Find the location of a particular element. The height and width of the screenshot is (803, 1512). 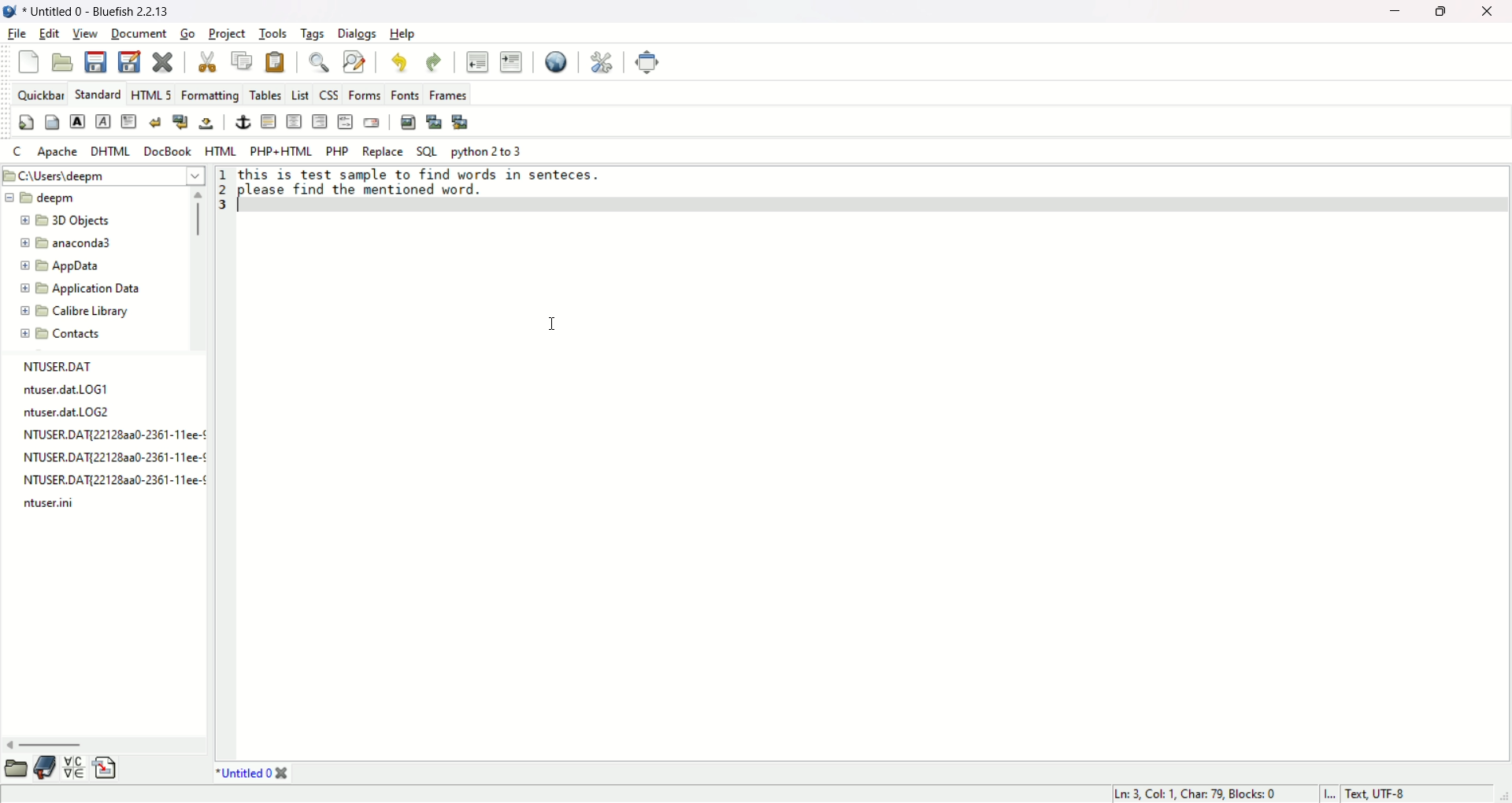

go is located at coordinates (185, 33).